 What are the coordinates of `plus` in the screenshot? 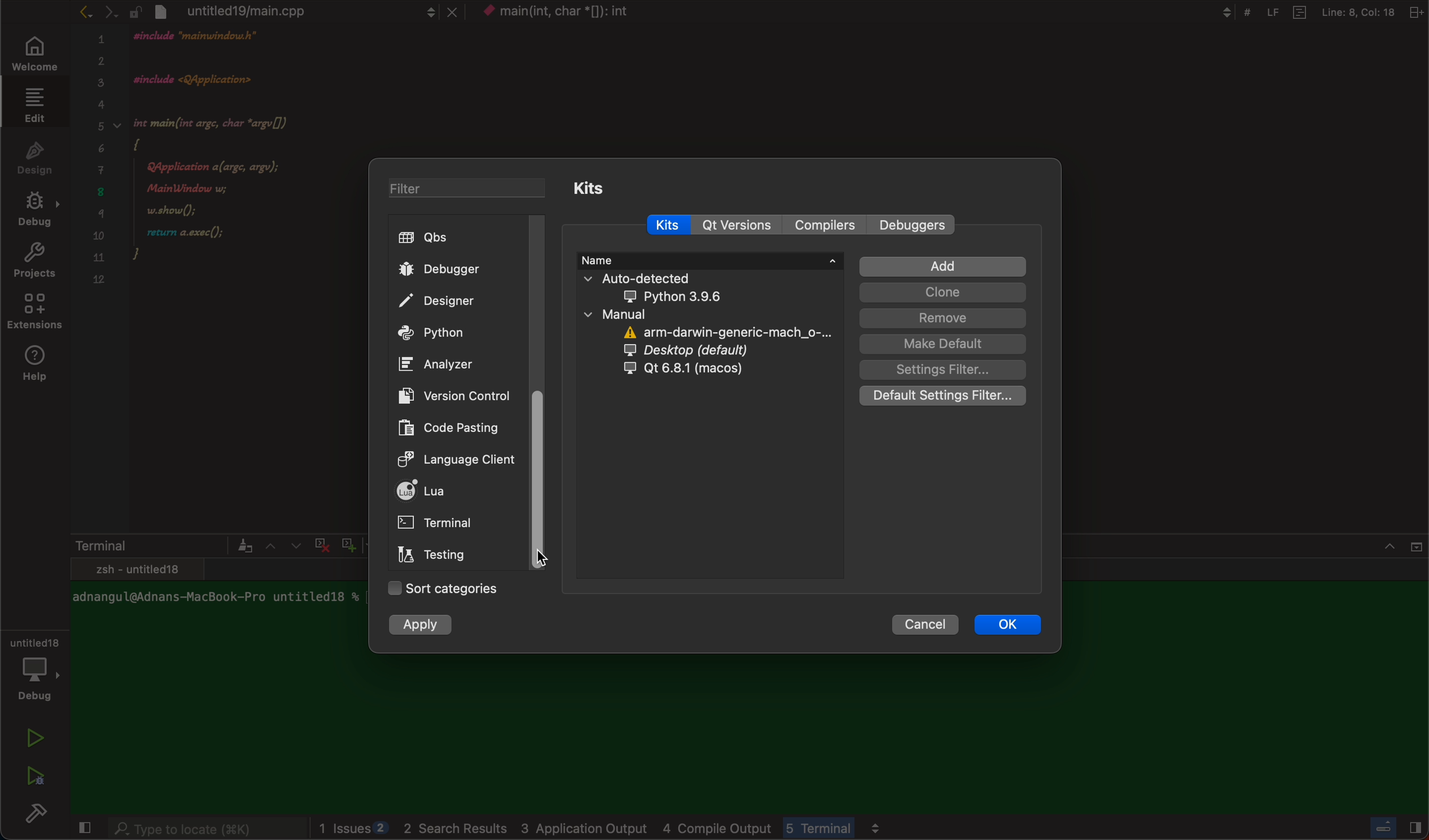 It's located at (346, 543).